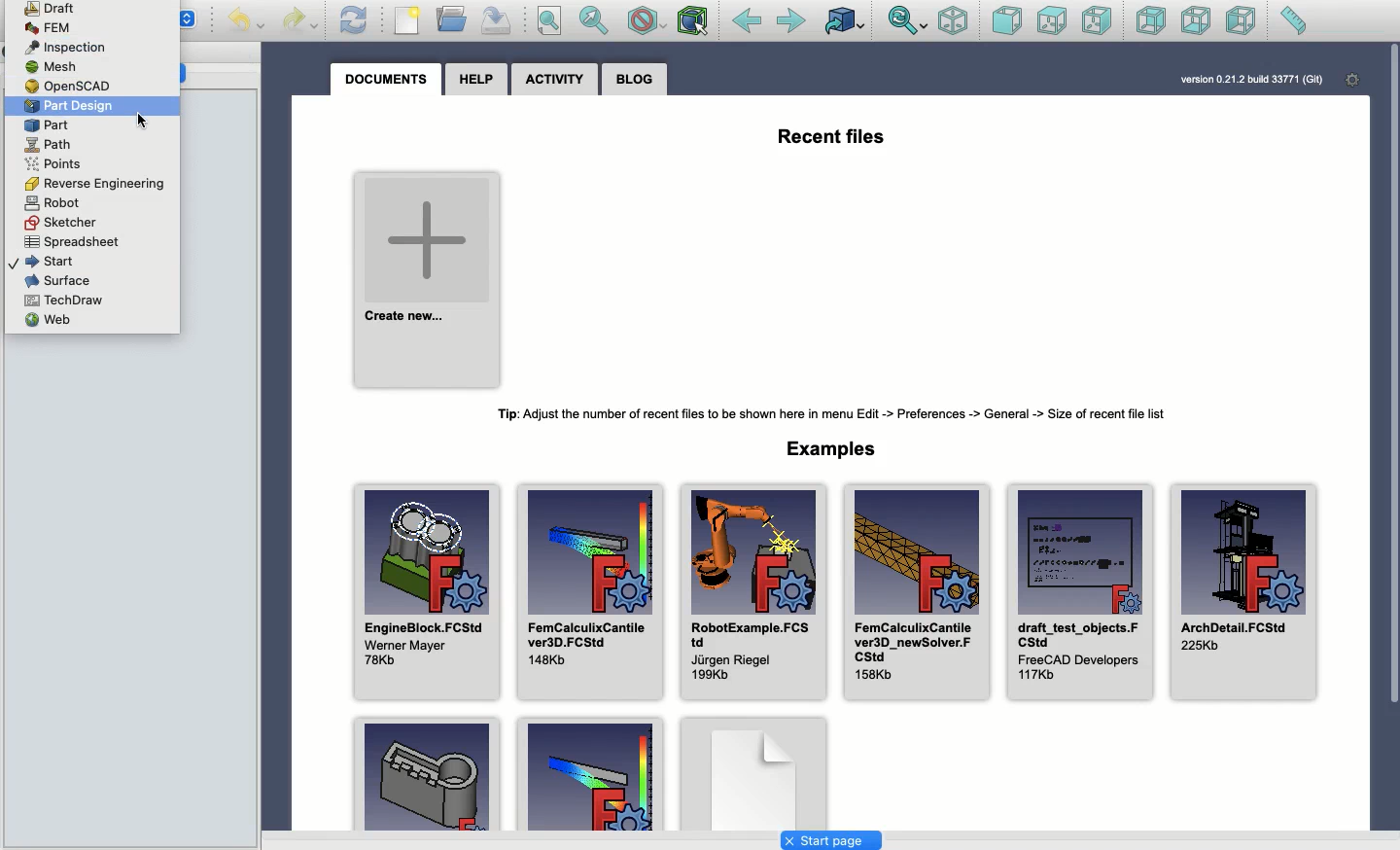 The height and width of the screenshot is (850, 1400). Describe the element at coordinates (646, 21) in the screenshot. I see `Draw style` at that location.